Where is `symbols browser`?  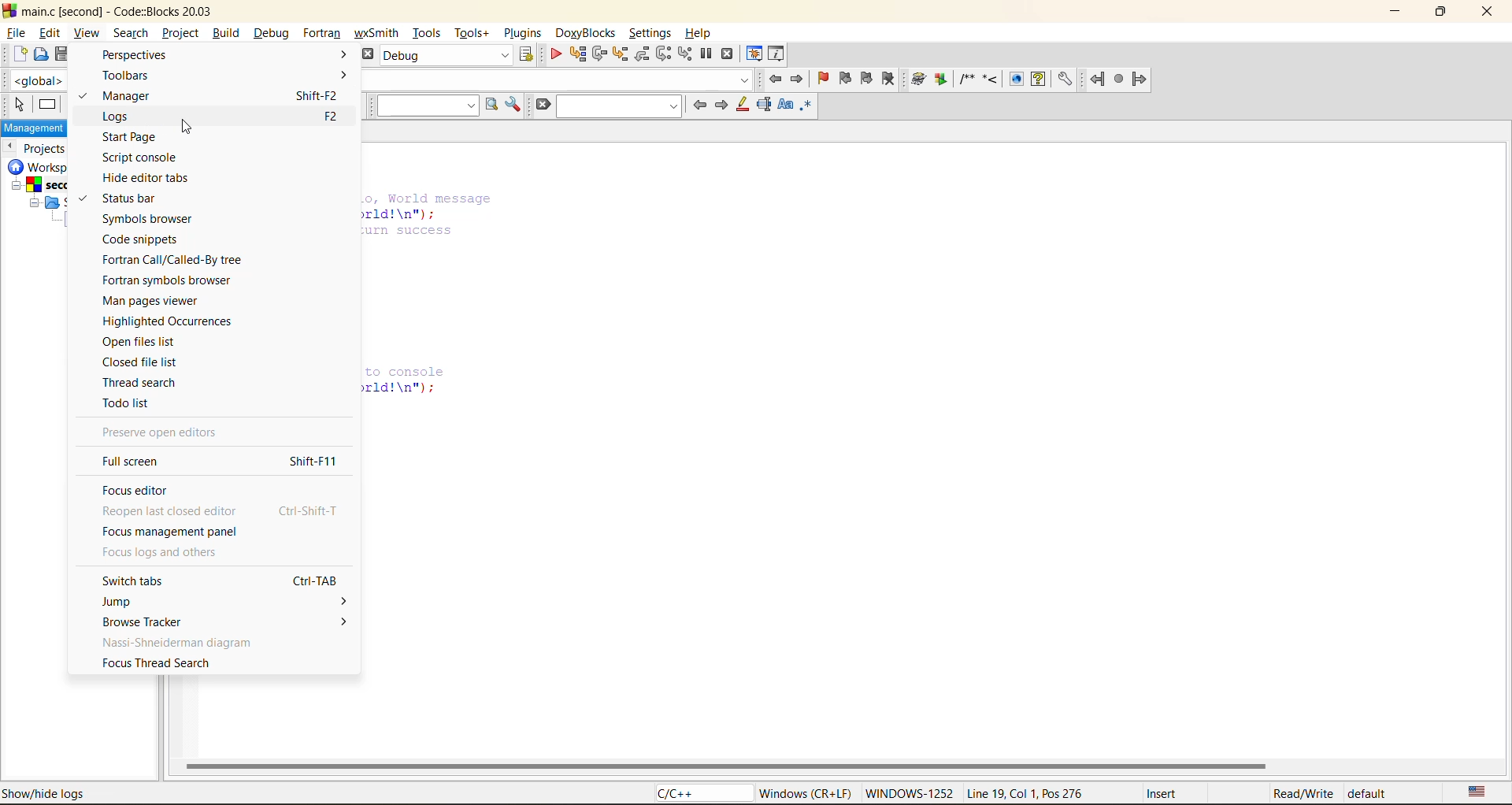 symbols browser is located at coordinates (157, 220).